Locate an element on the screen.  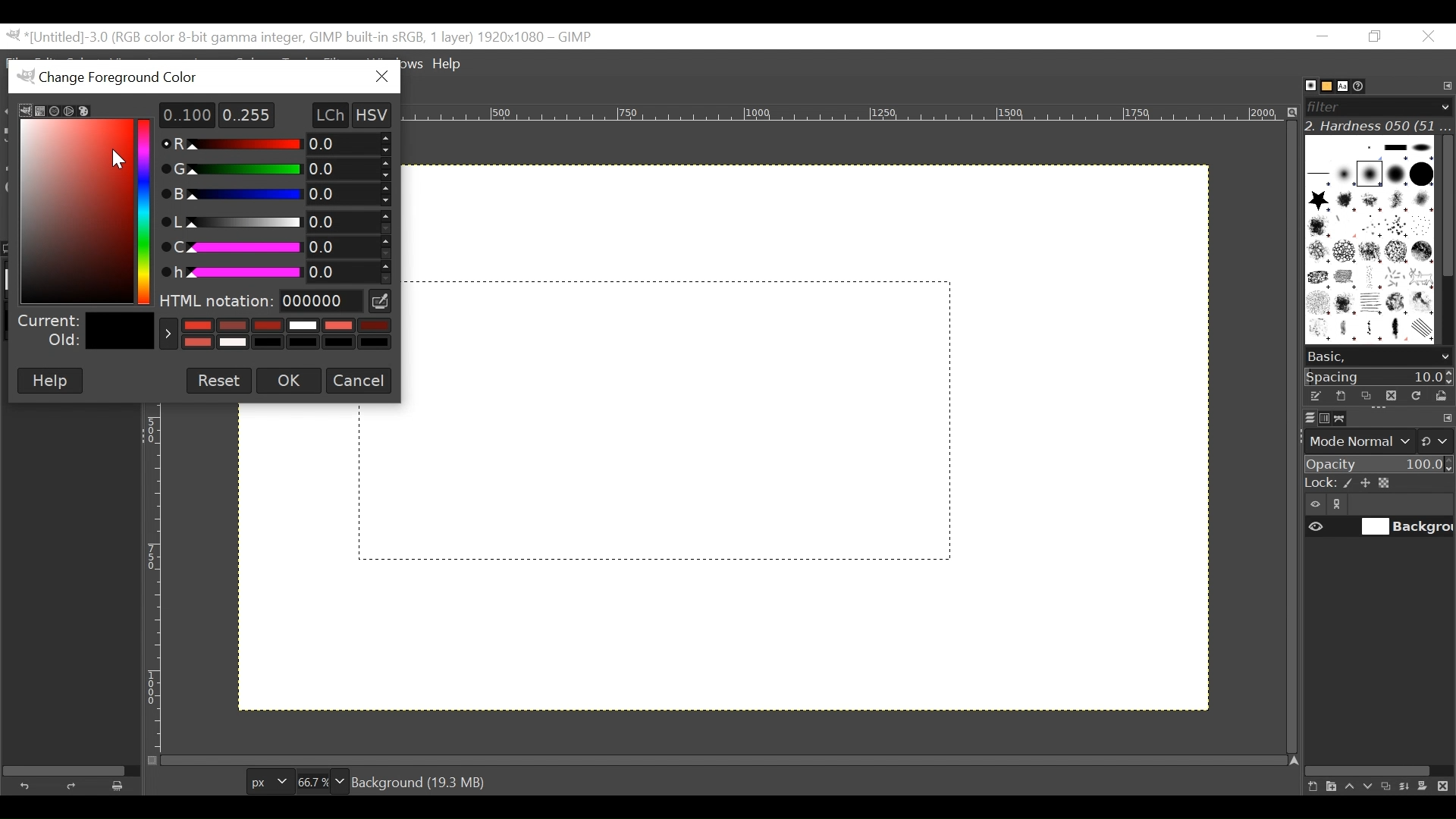
Lightness is located at coordinates (274, 221).